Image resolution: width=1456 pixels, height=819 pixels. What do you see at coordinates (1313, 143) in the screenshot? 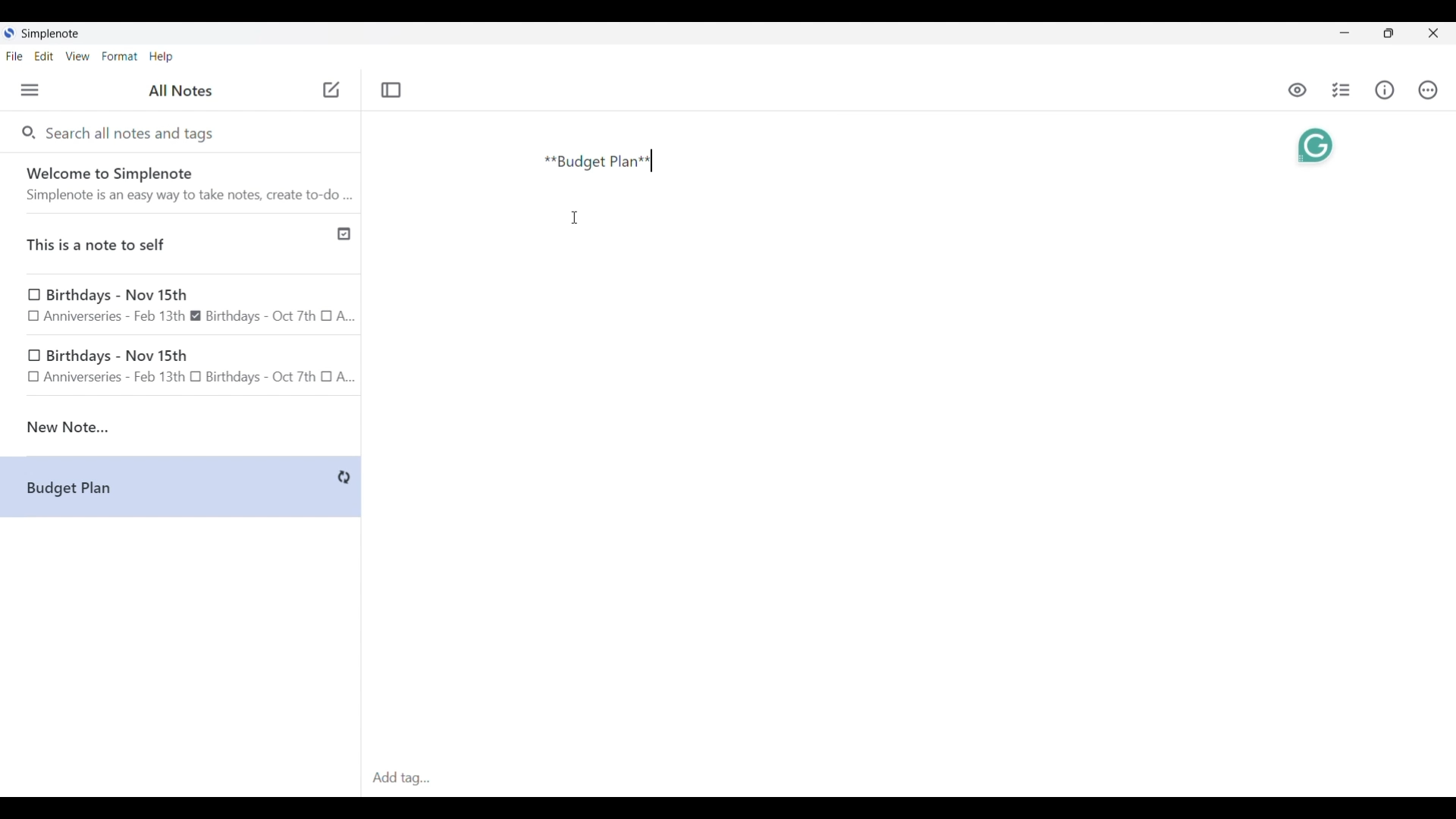
I see `Grammarly extension activated` at bounding box center [1313, 143].